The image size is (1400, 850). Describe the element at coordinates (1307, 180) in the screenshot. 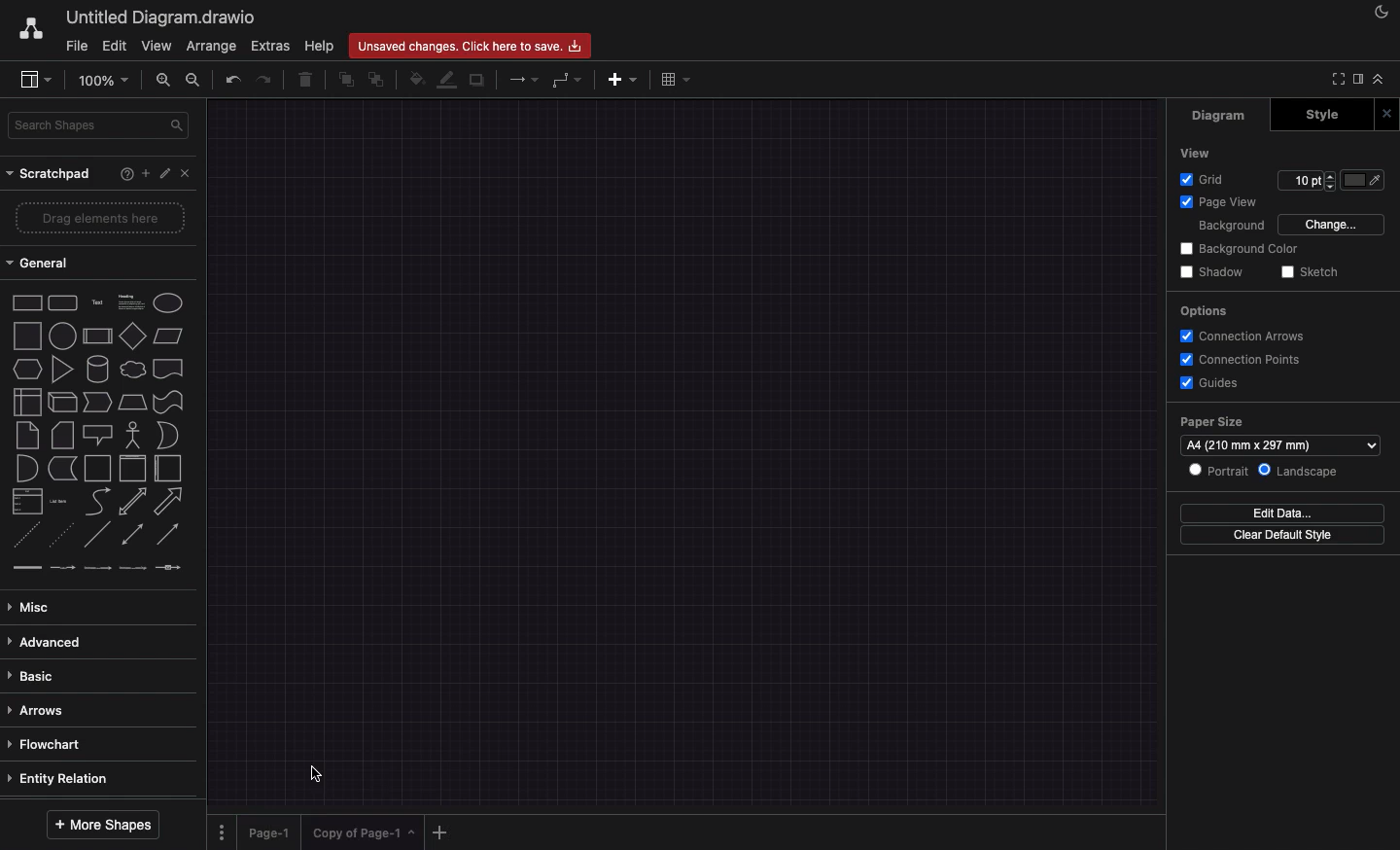

I see `Input for Grid points` at that location.